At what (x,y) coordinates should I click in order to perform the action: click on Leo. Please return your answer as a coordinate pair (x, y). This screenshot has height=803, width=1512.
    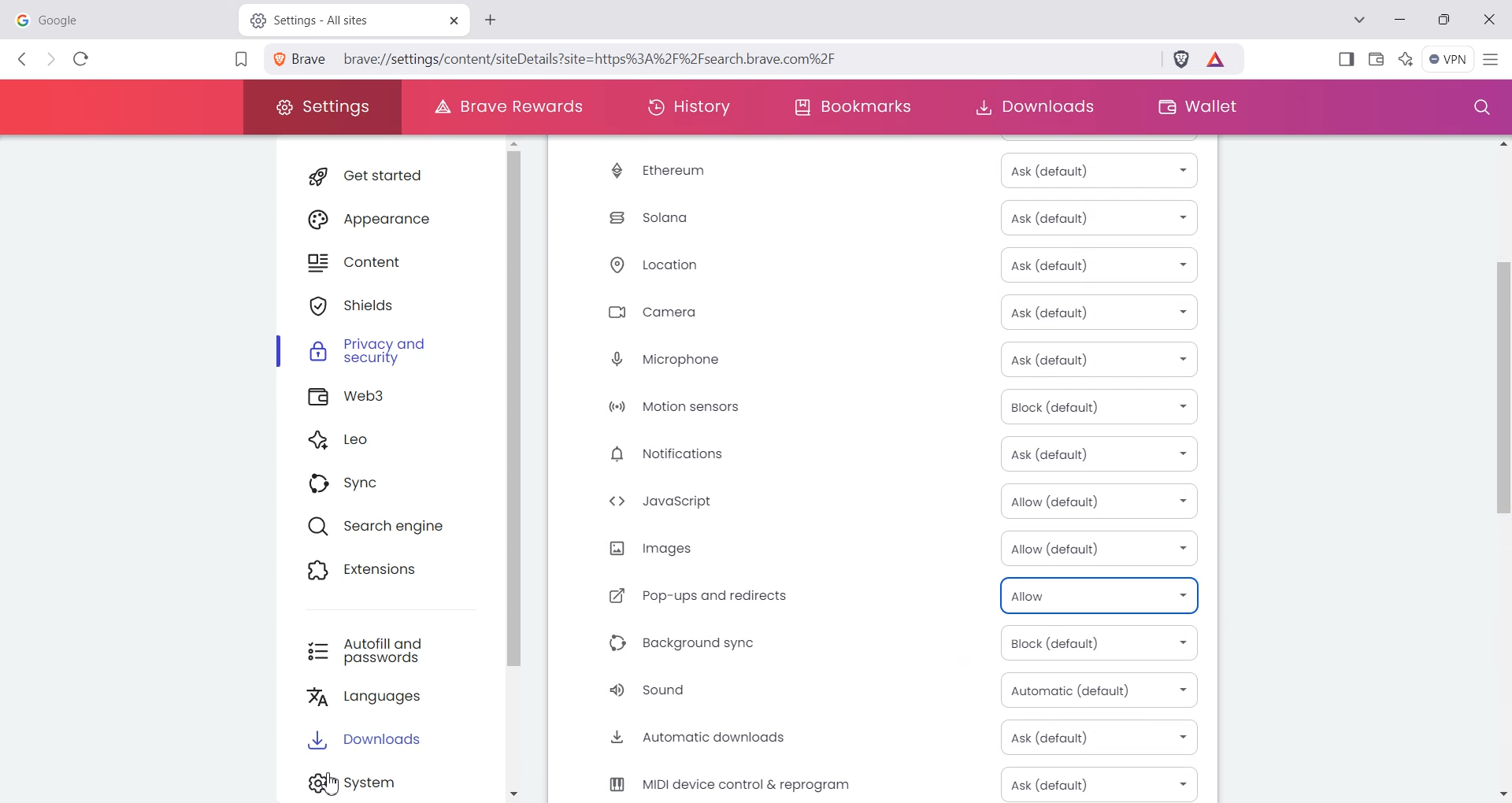
    Looking at the image, I should click on (389, 442).